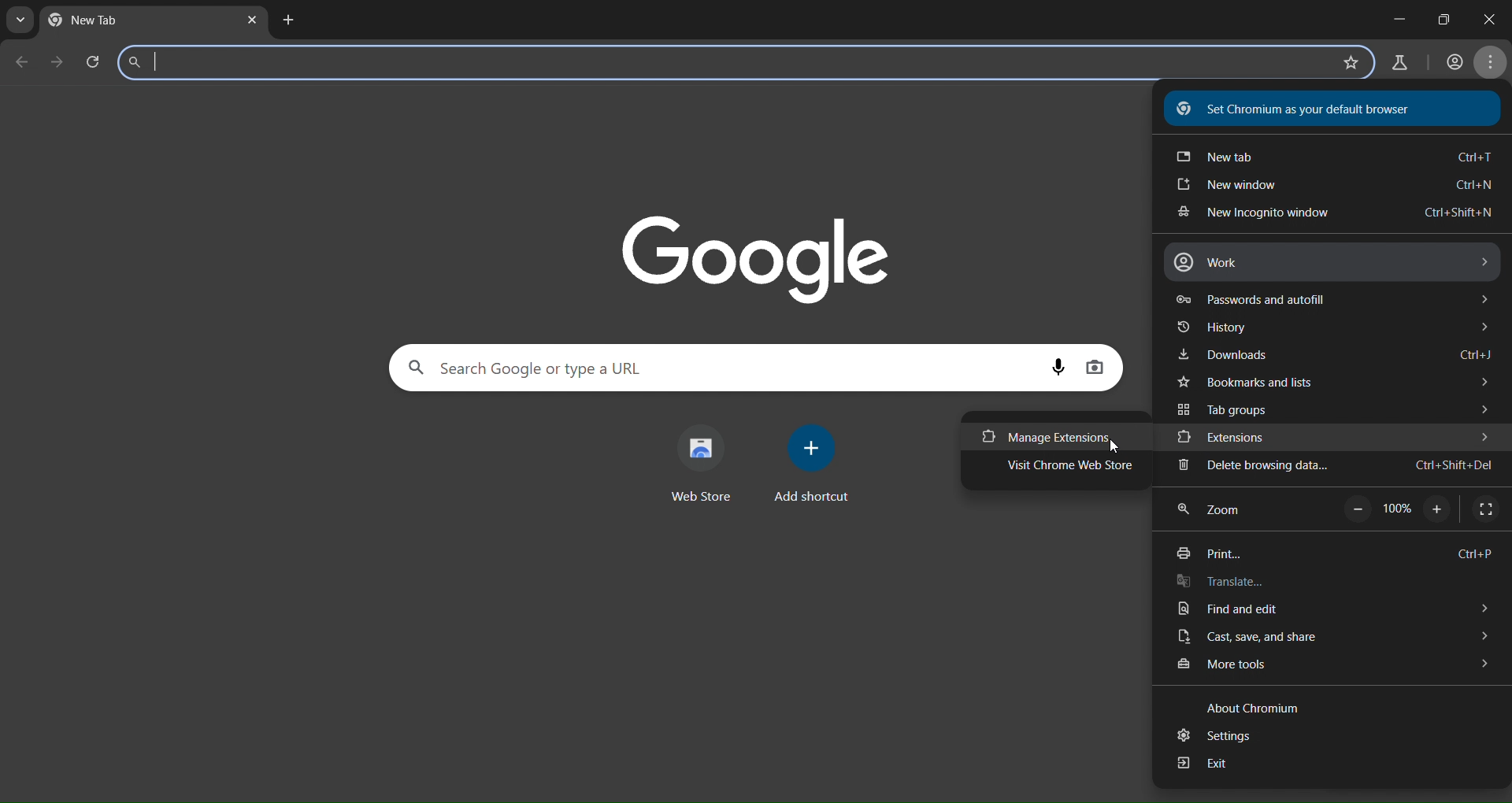  Describe the element at coordinates (1096, 368) in the screenshot. I see `image display` at that location.